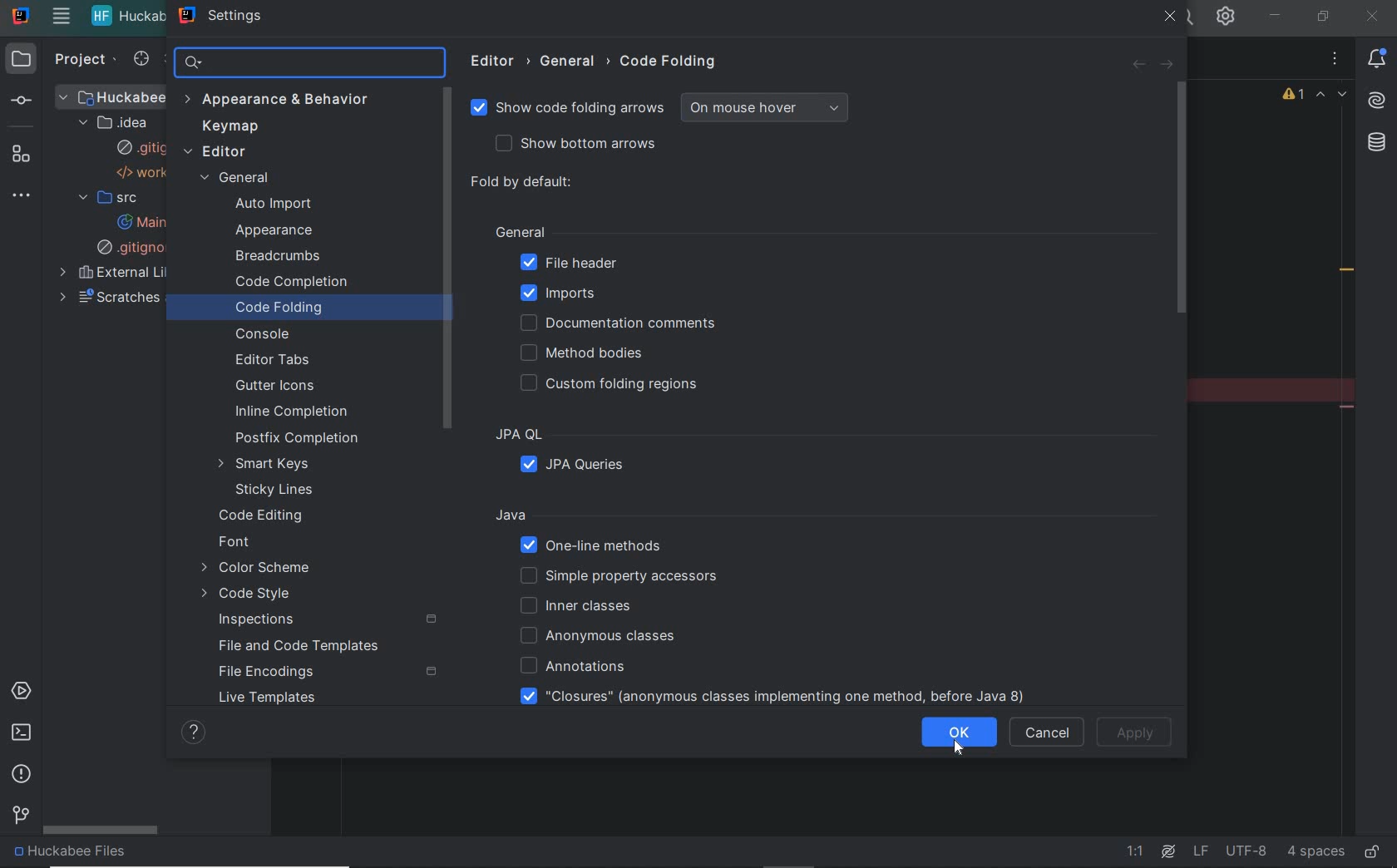 The height and width of the screenshot is (868, 1397). What do you see at coordinates (280, 101) in the screenshot?
I see `appearance and behavior` at bounding box center [280, 101].